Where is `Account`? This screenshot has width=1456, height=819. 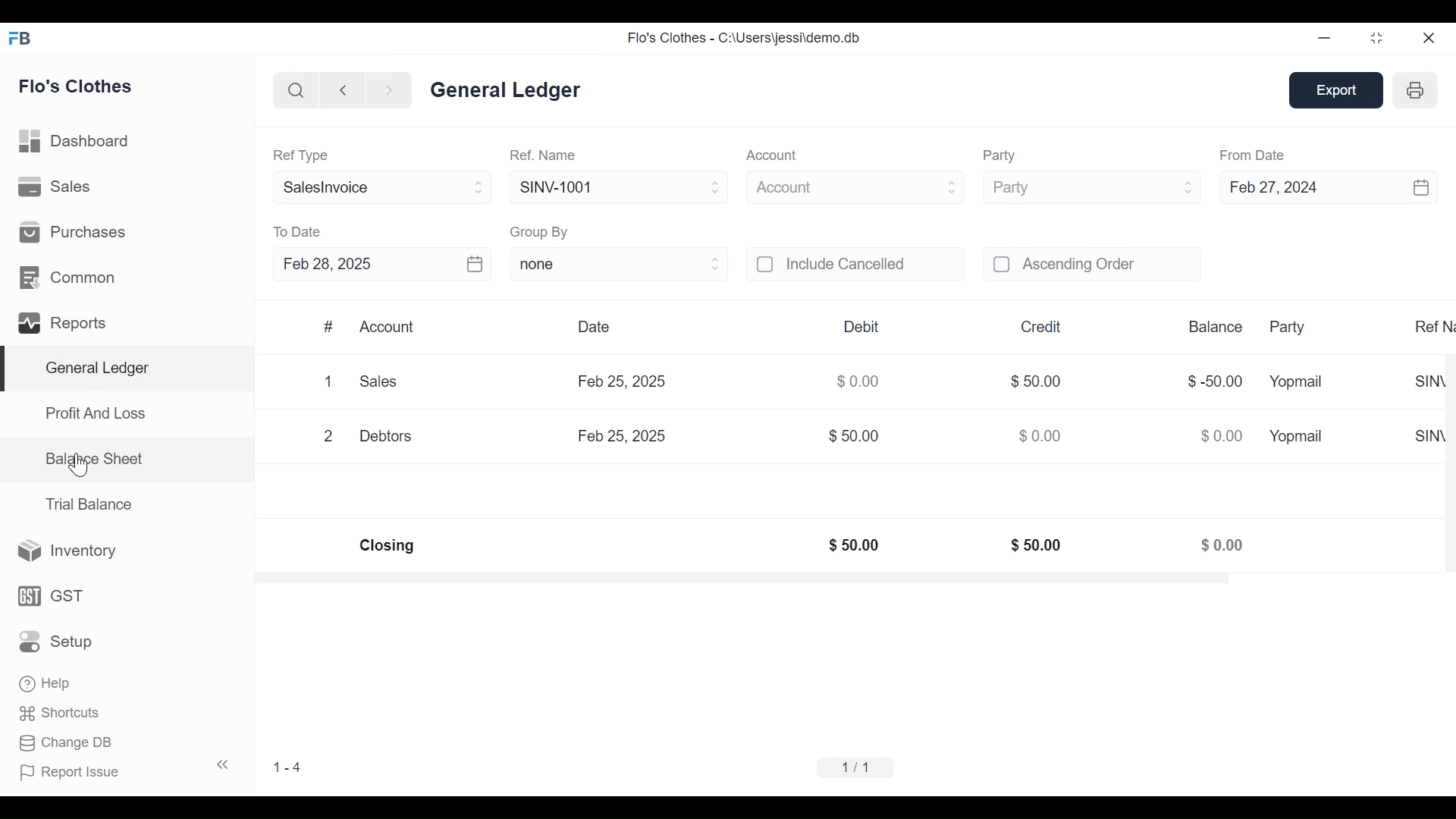 Account is located at coordinates (390, 328).